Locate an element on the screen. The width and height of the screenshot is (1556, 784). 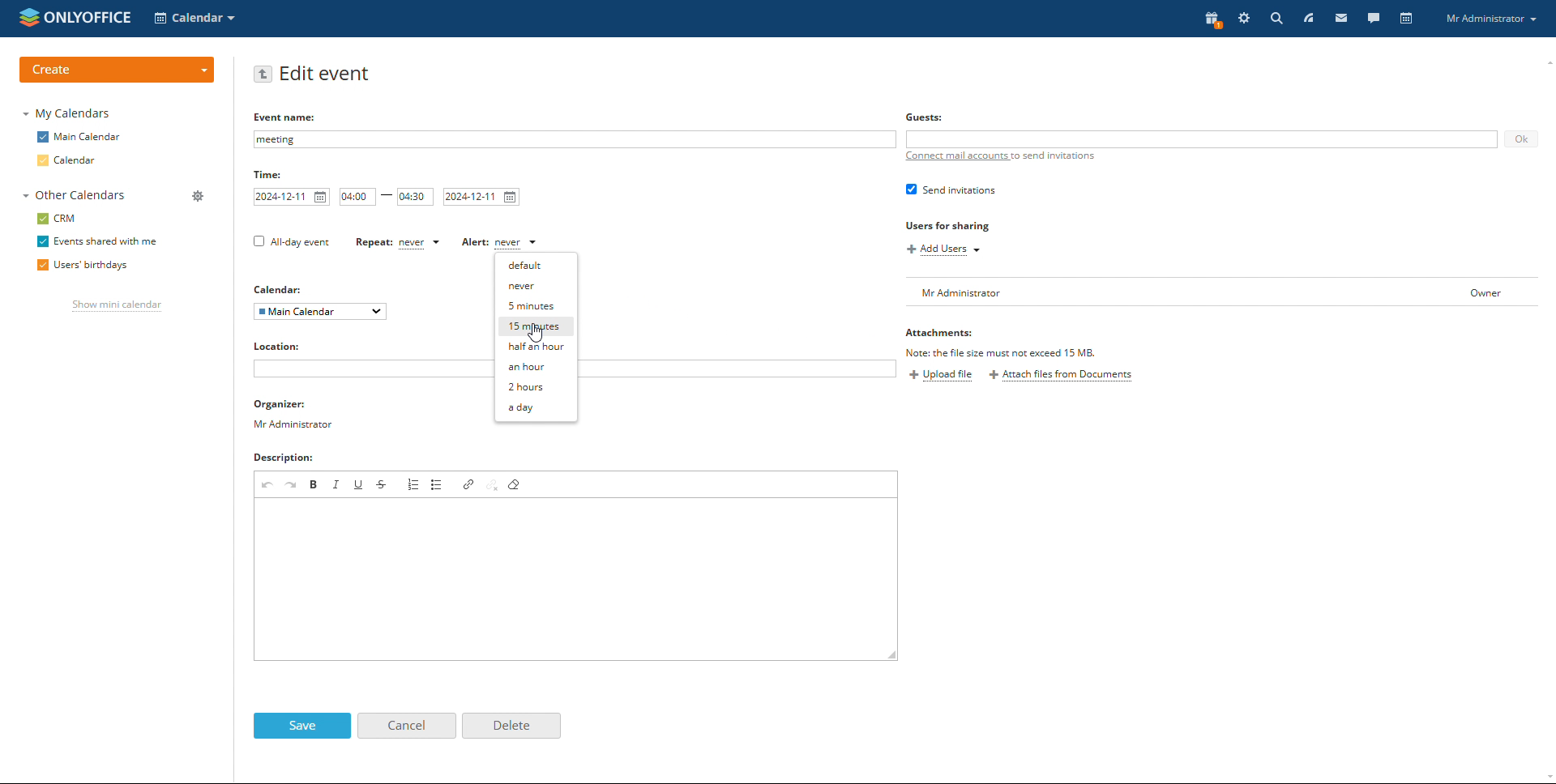
set alert is located at coordinates (500, 243).